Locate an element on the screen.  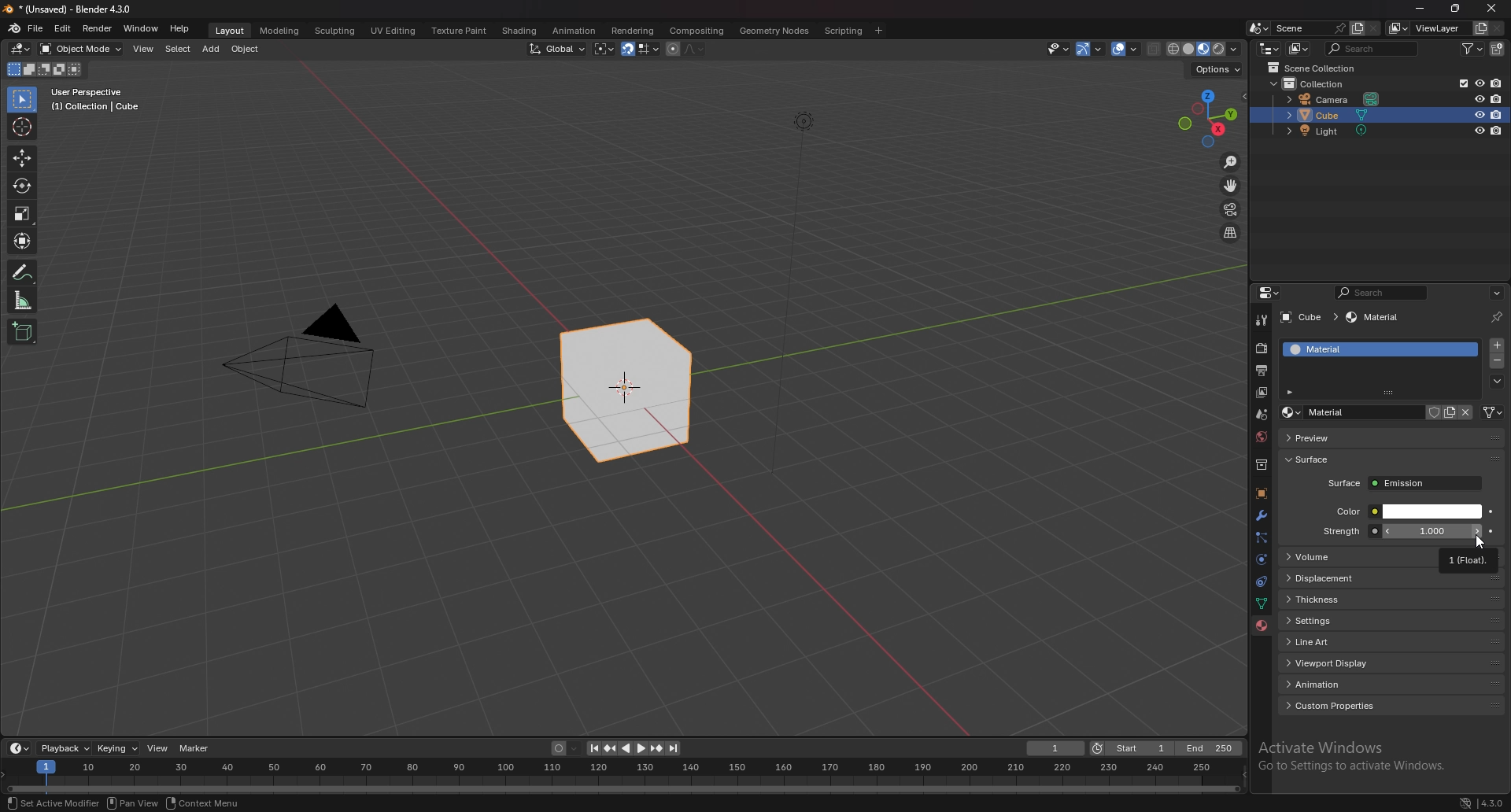
tool is located at coordinates (1262, 319).